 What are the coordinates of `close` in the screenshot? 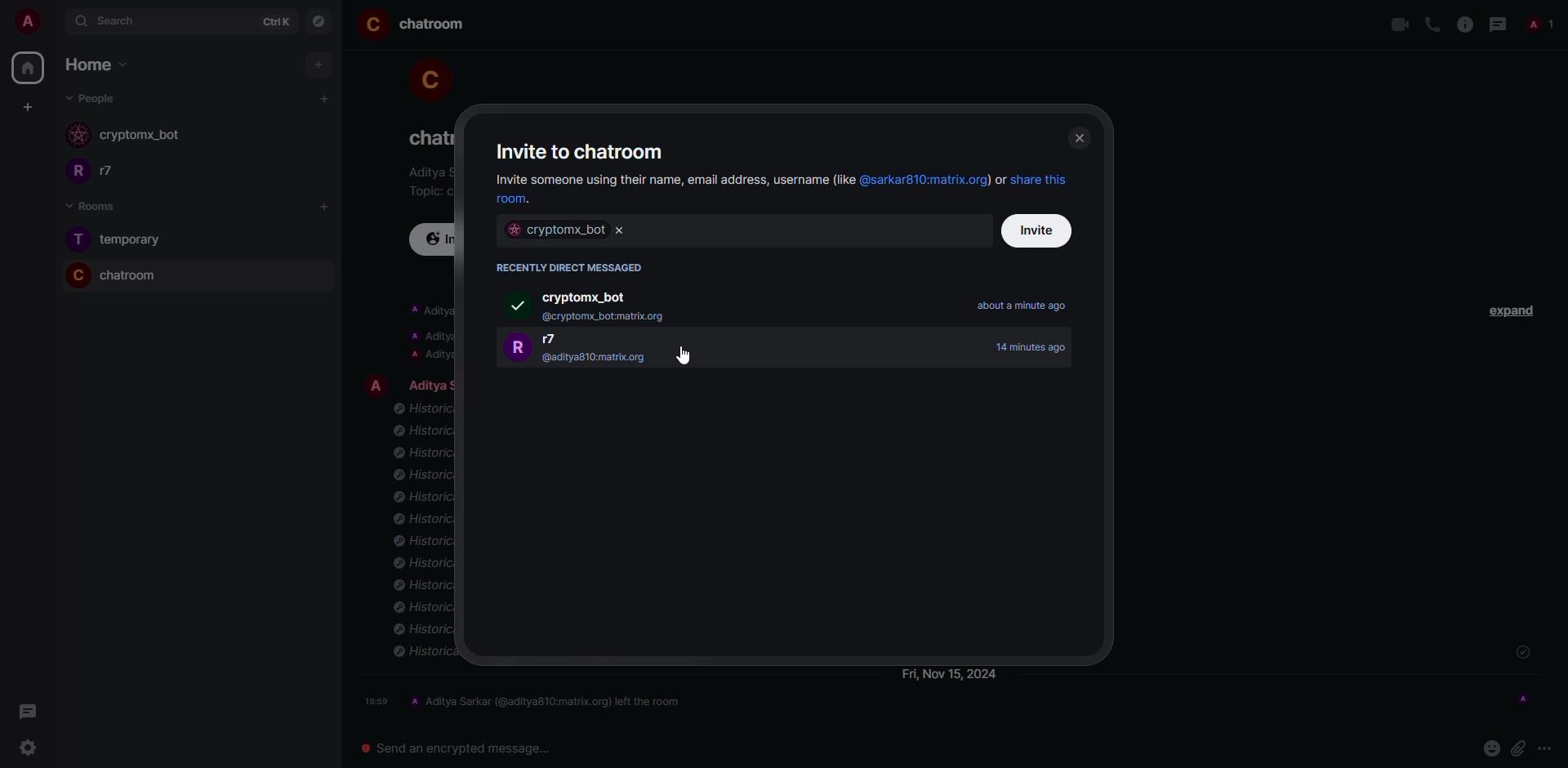 It's located at (1078, 138).